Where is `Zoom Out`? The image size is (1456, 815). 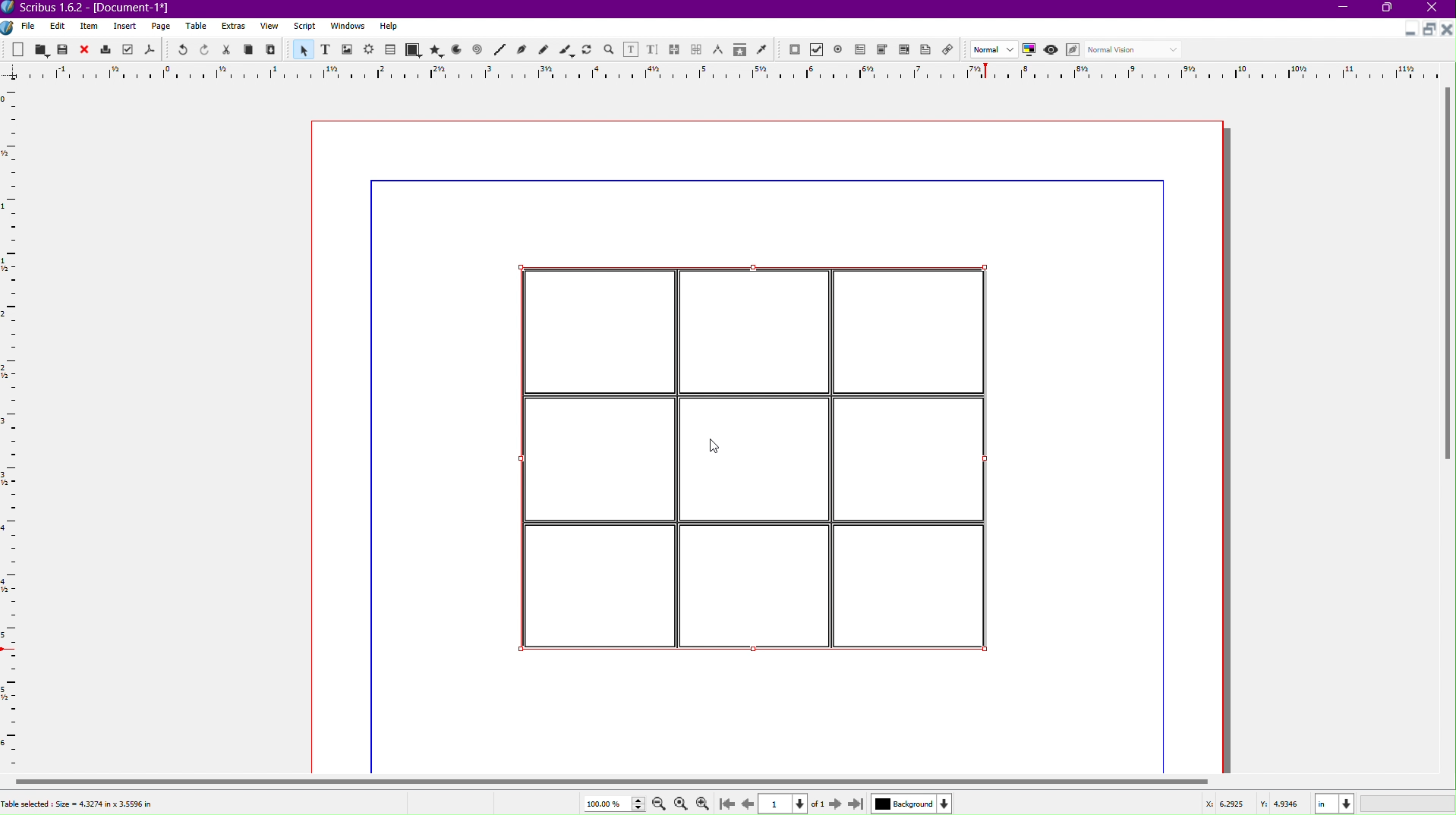
Zoom Out is located at coordinates (656, 804).